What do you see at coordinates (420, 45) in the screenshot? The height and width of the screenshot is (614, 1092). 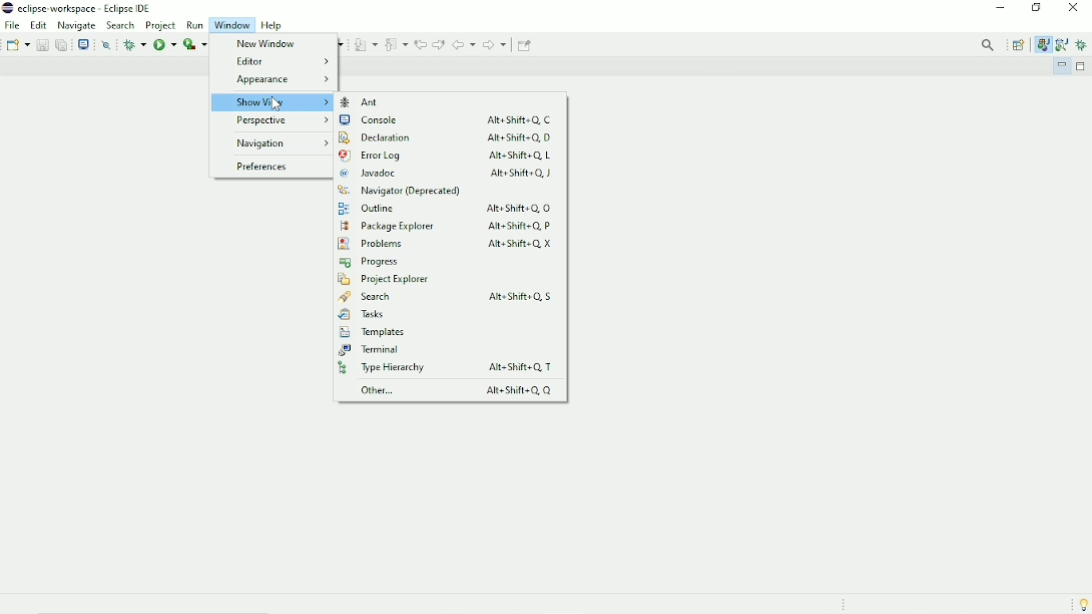 I see `Previous edit location` at bounding box center [420, 45].